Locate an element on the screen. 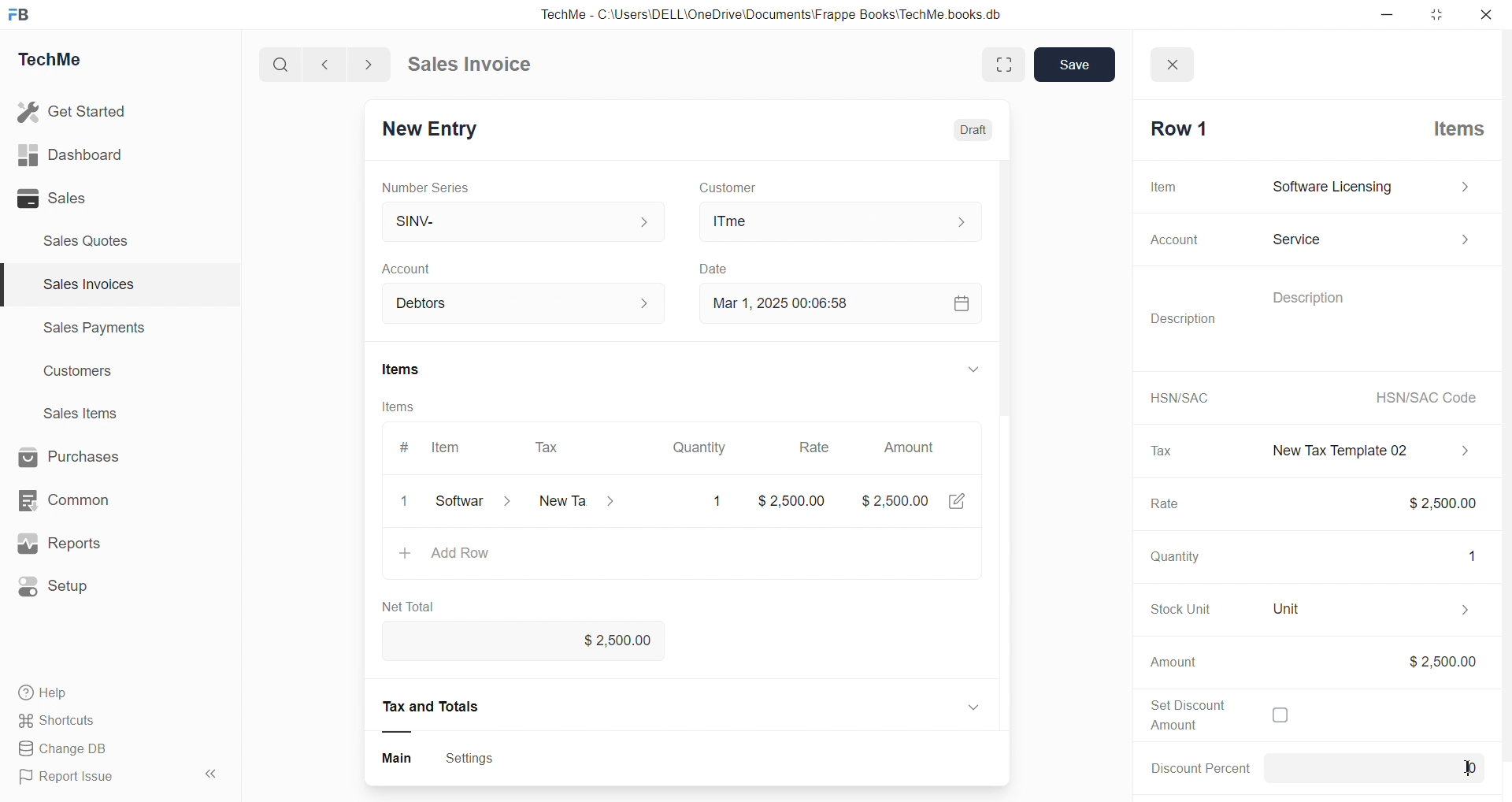 The image size is (1512, 802). + Add Row is located at coordinates (452, 555).